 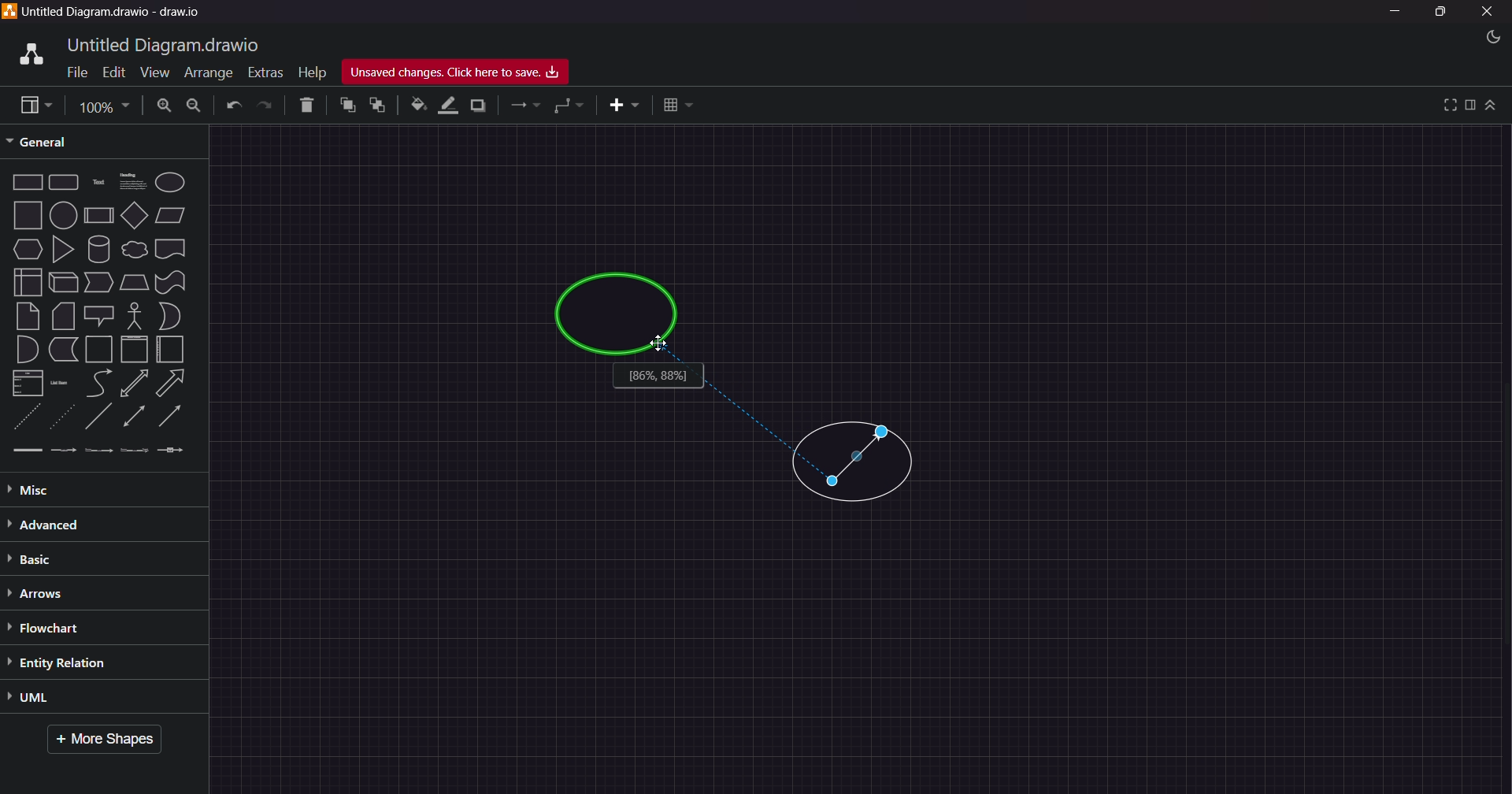 What do you see at coordinates (679, 104) in the screenshot?
I see `table` at bounding box center [679, 104].